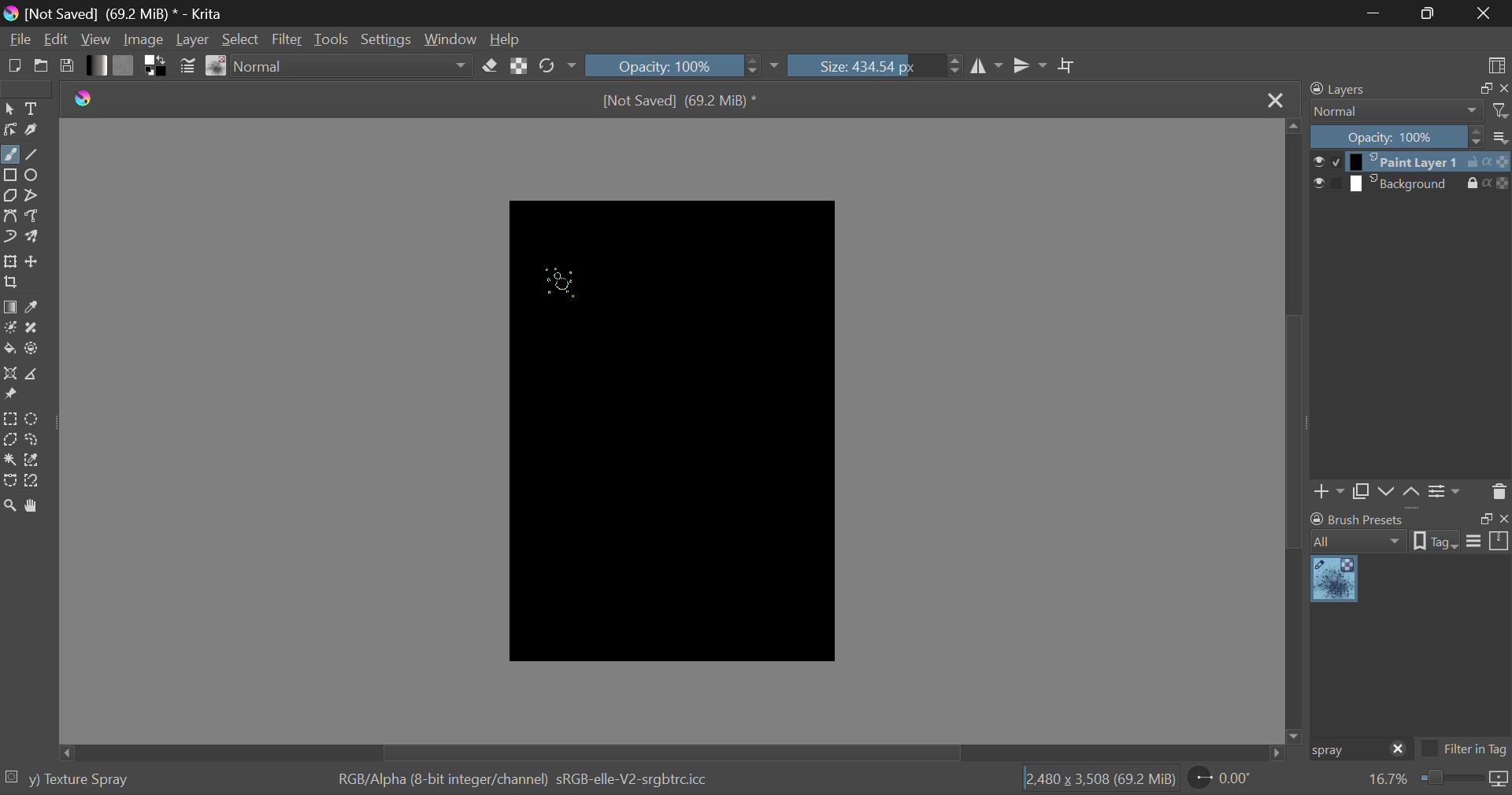 The height and width of the screenshot is (795, 1512). Describe the element at coordinates (11, 130) in the screenshot. I see `Edit Shapes` at that location.